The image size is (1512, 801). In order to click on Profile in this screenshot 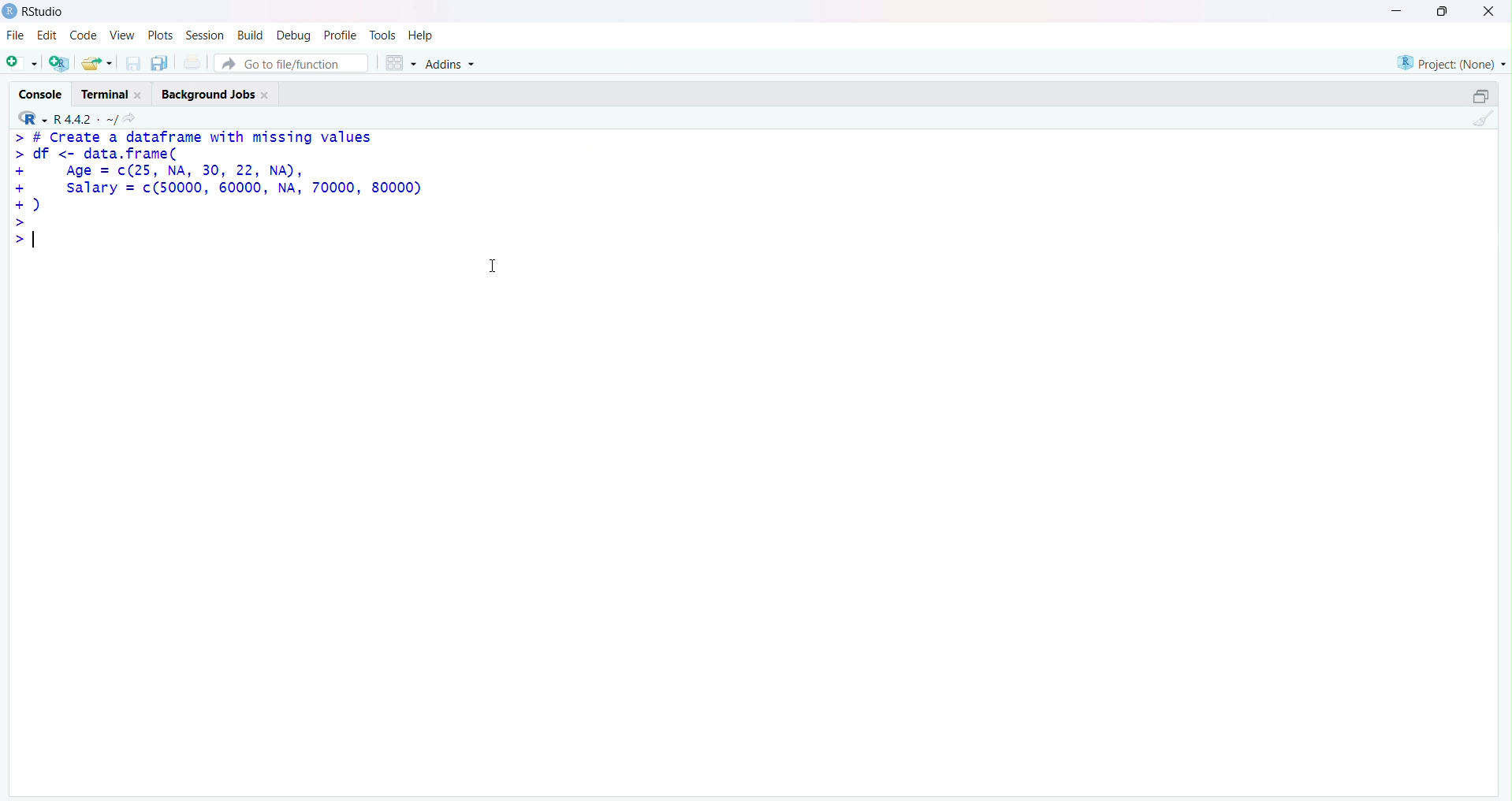, I will do `click(341, 35)`.